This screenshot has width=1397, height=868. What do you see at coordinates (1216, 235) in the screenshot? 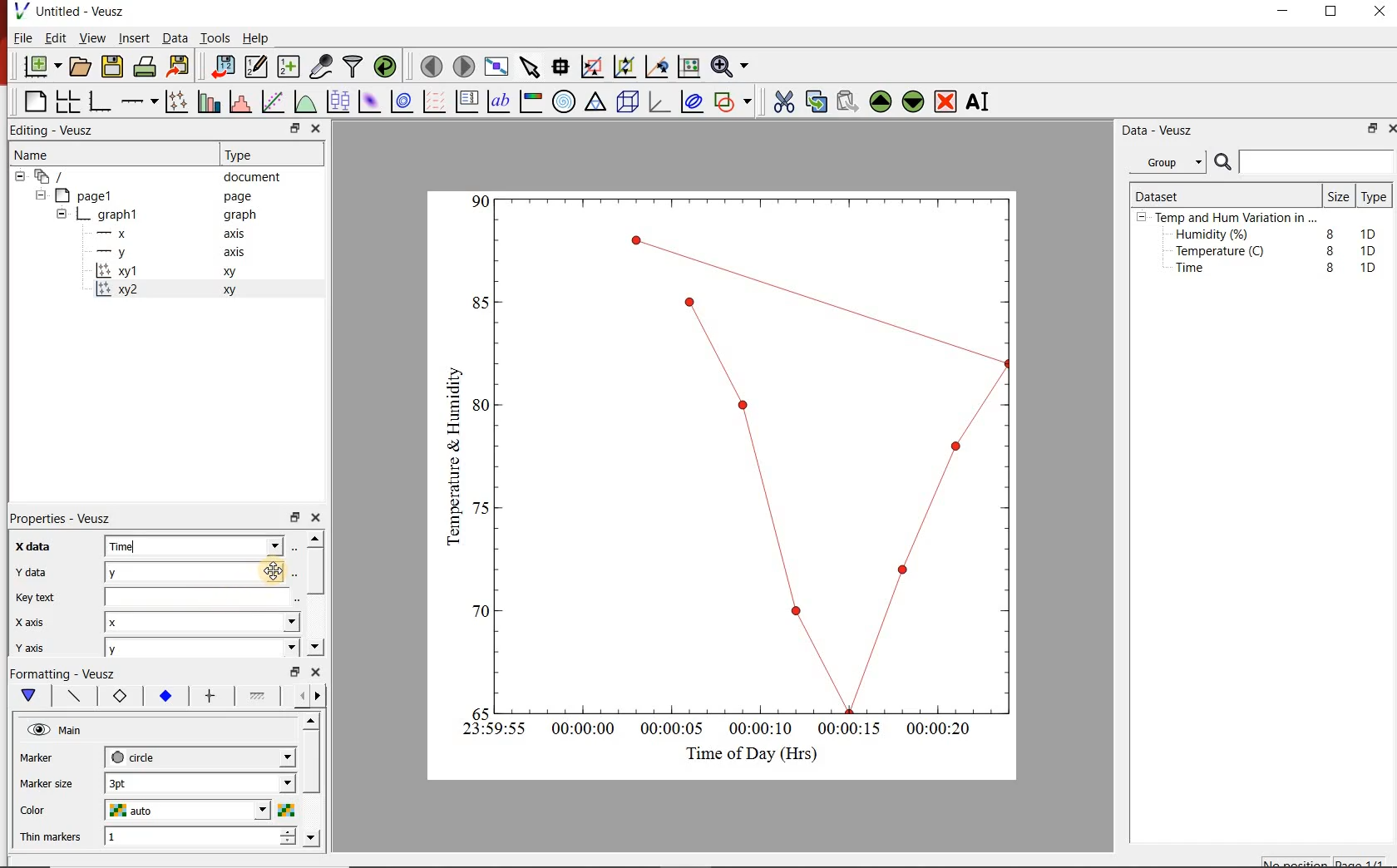
I see `Humidity (%)` at bounding box center [1216, 235].